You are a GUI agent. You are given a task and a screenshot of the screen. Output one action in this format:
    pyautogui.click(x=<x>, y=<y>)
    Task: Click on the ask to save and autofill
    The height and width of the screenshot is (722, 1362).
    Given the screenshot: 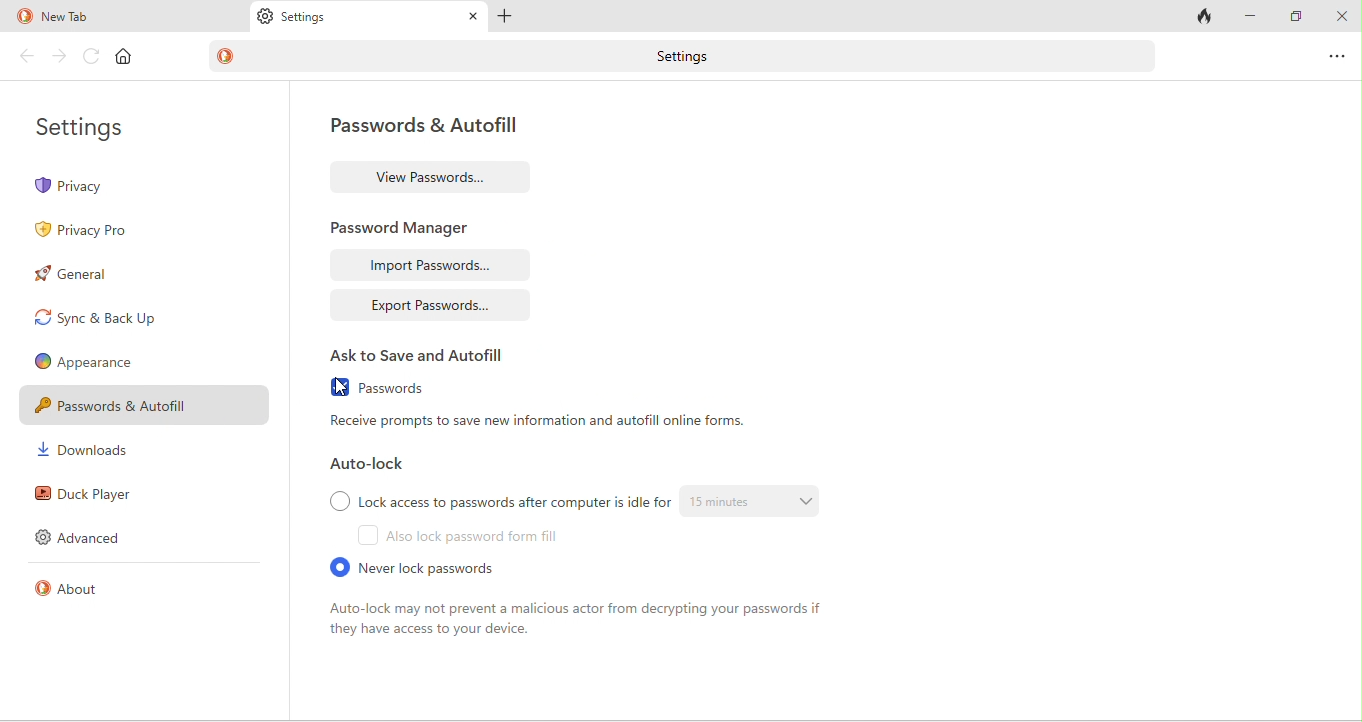 What is the action you would take?
    pyautogui.click(x=419, y=354)
    